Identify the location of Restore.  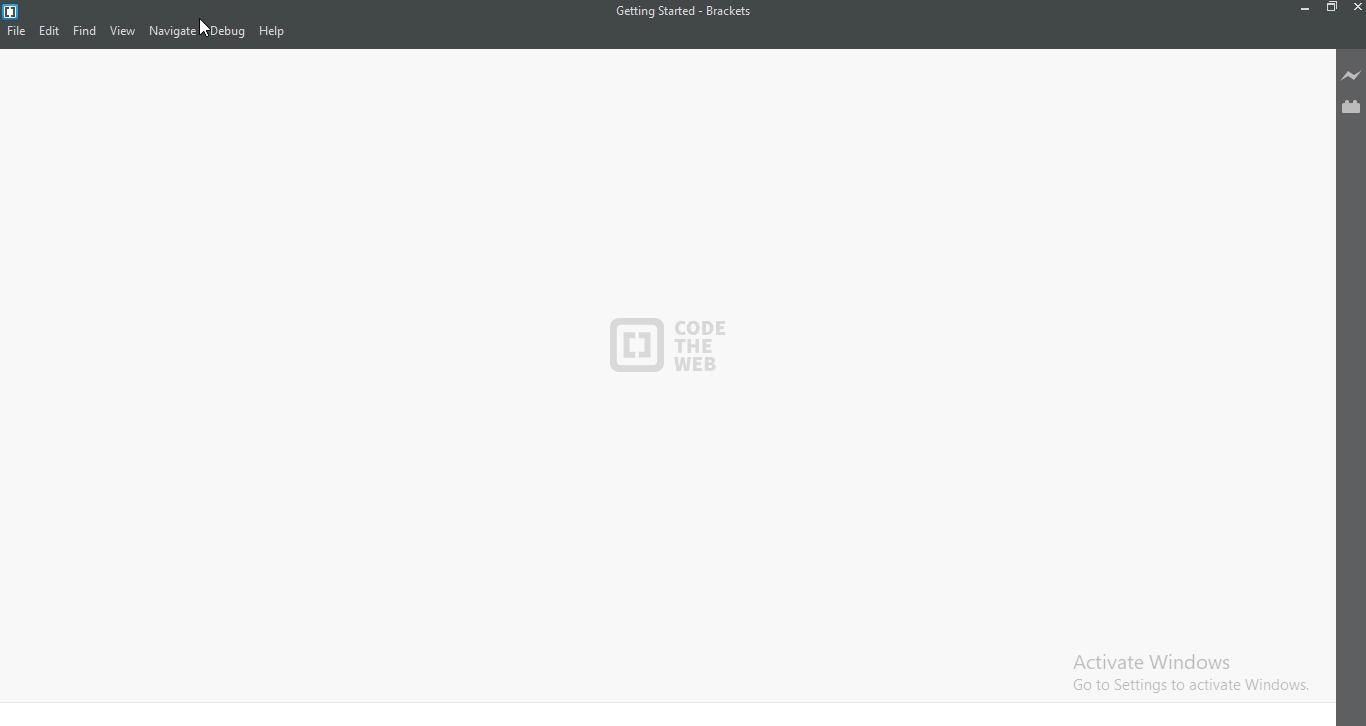
(1332, 8).